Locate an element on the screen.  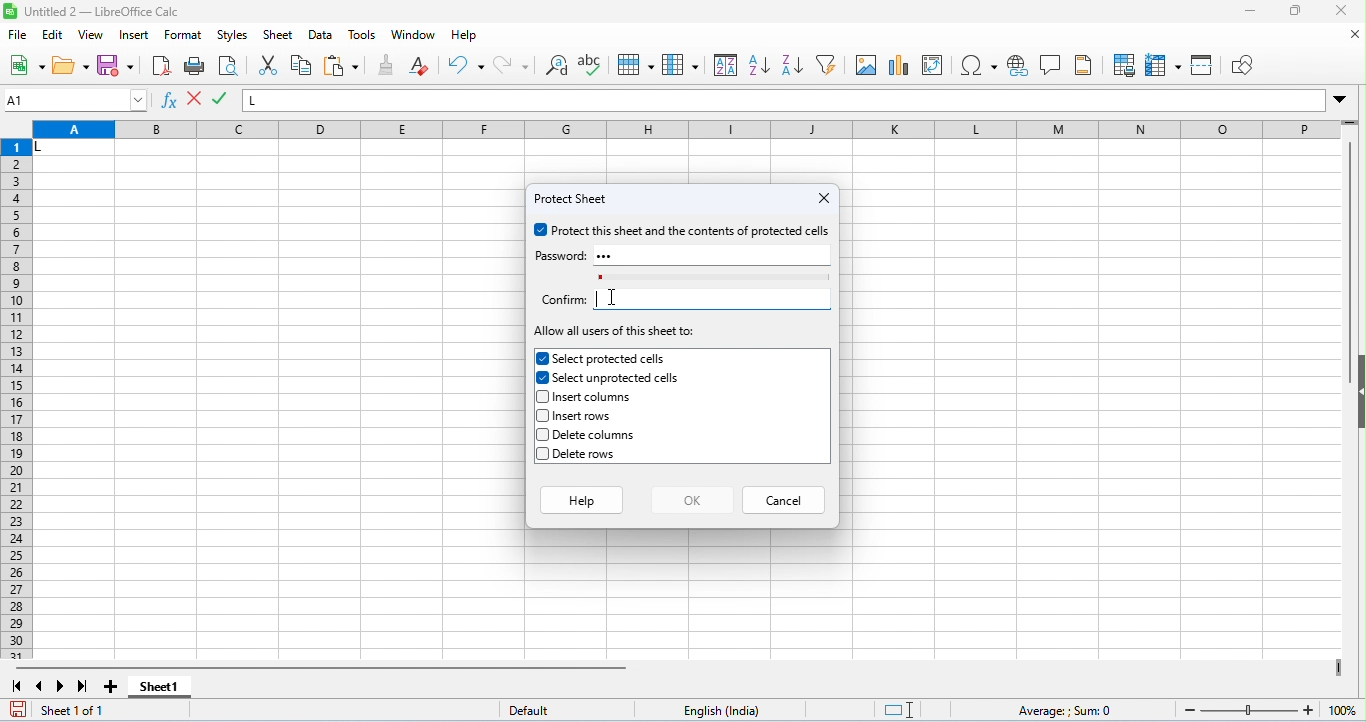
sort ascending is located at coordinates (759, 65).